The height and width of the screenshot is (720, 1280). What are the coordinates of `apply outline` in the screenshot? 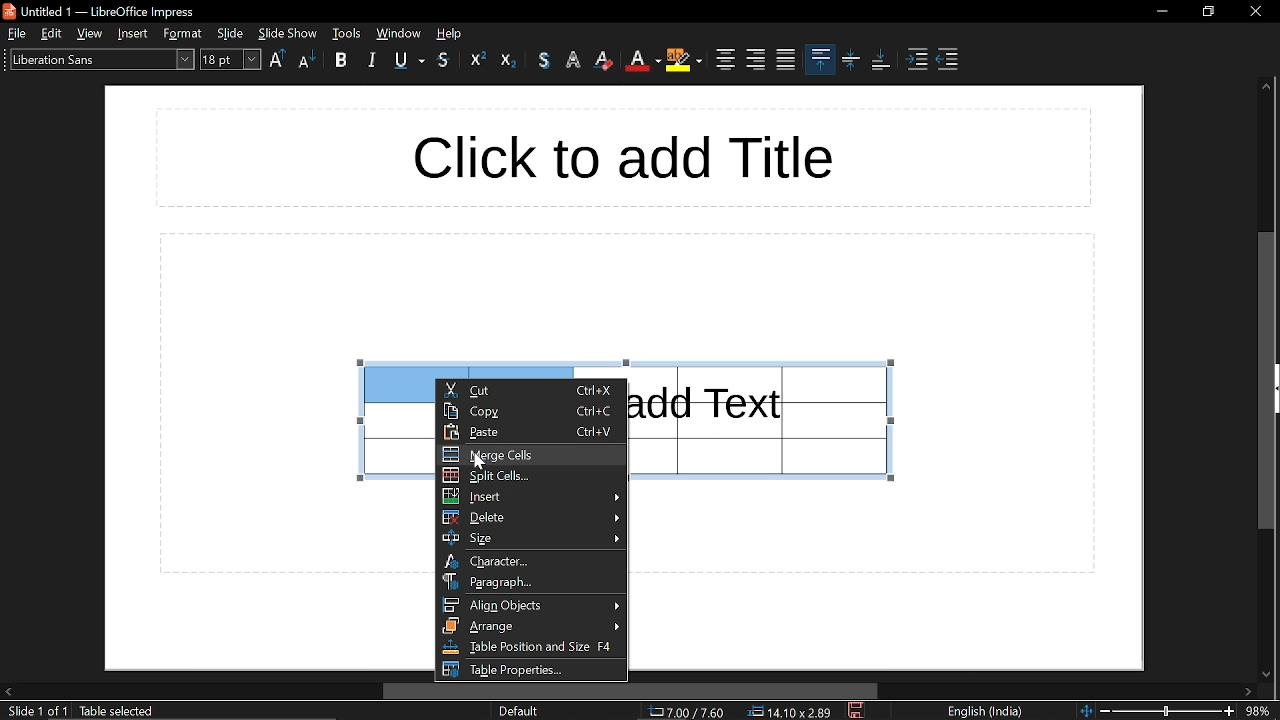 It's located at (576, 61).